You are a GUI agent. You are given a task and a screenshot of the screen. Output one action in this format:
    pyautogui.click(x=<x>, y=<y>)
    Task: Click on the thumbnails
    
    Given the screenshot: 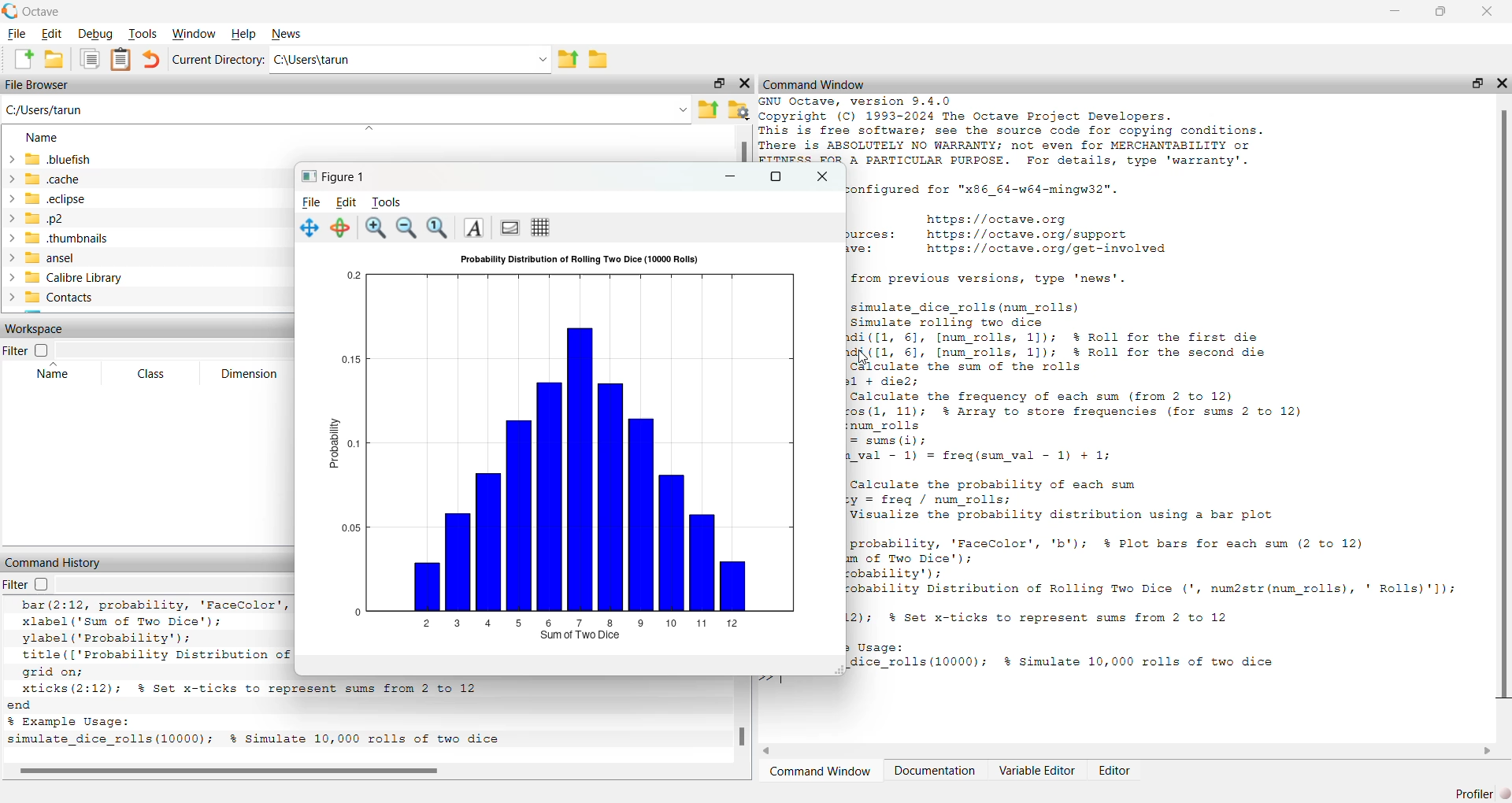 What is the action you would take?
    pyautogui.click(x=61, y=238)
    